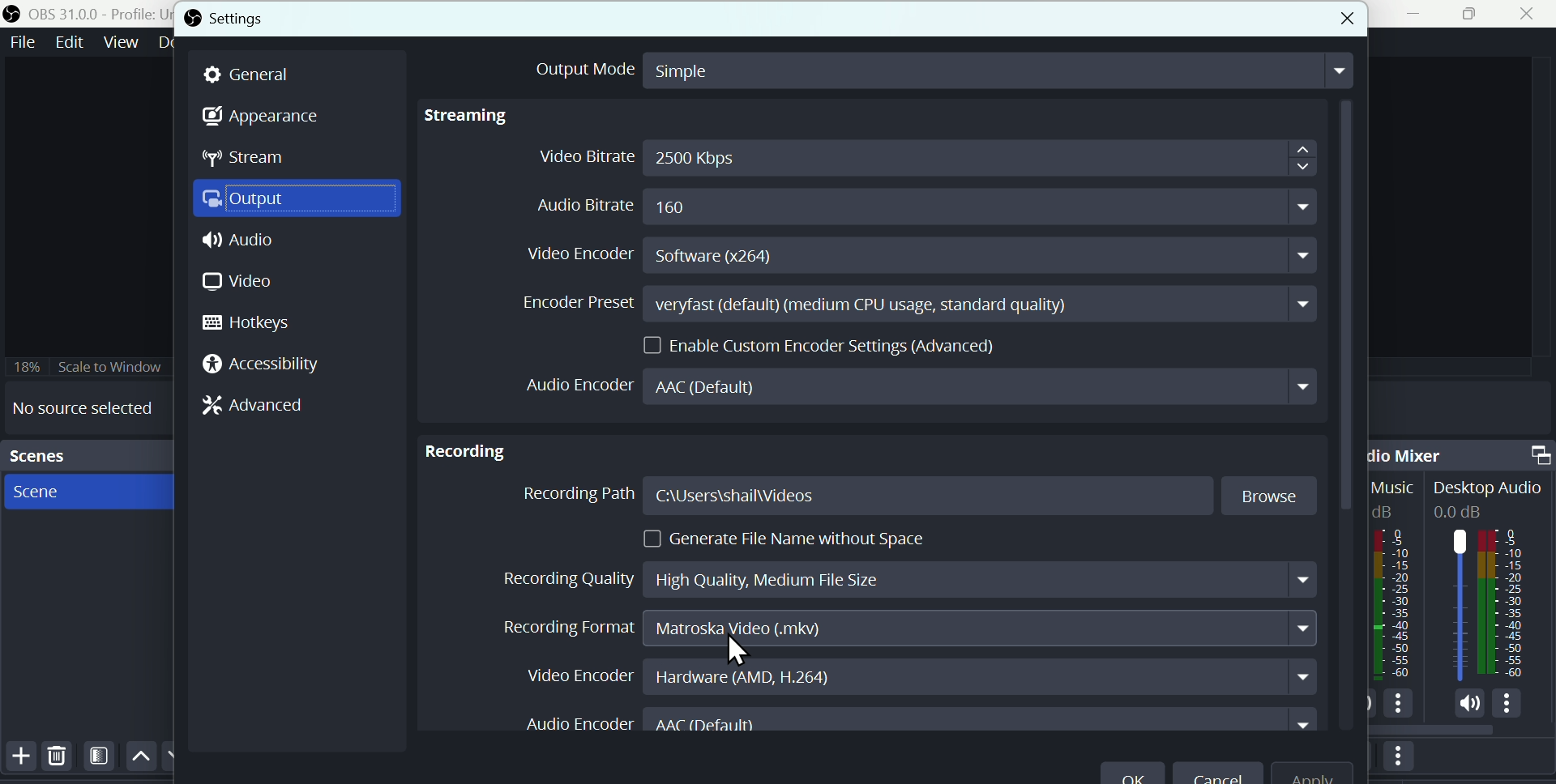 Image resolution: width=1556 pixels, height=784 pixels. I want to click on Browse, so click(1270, 494).